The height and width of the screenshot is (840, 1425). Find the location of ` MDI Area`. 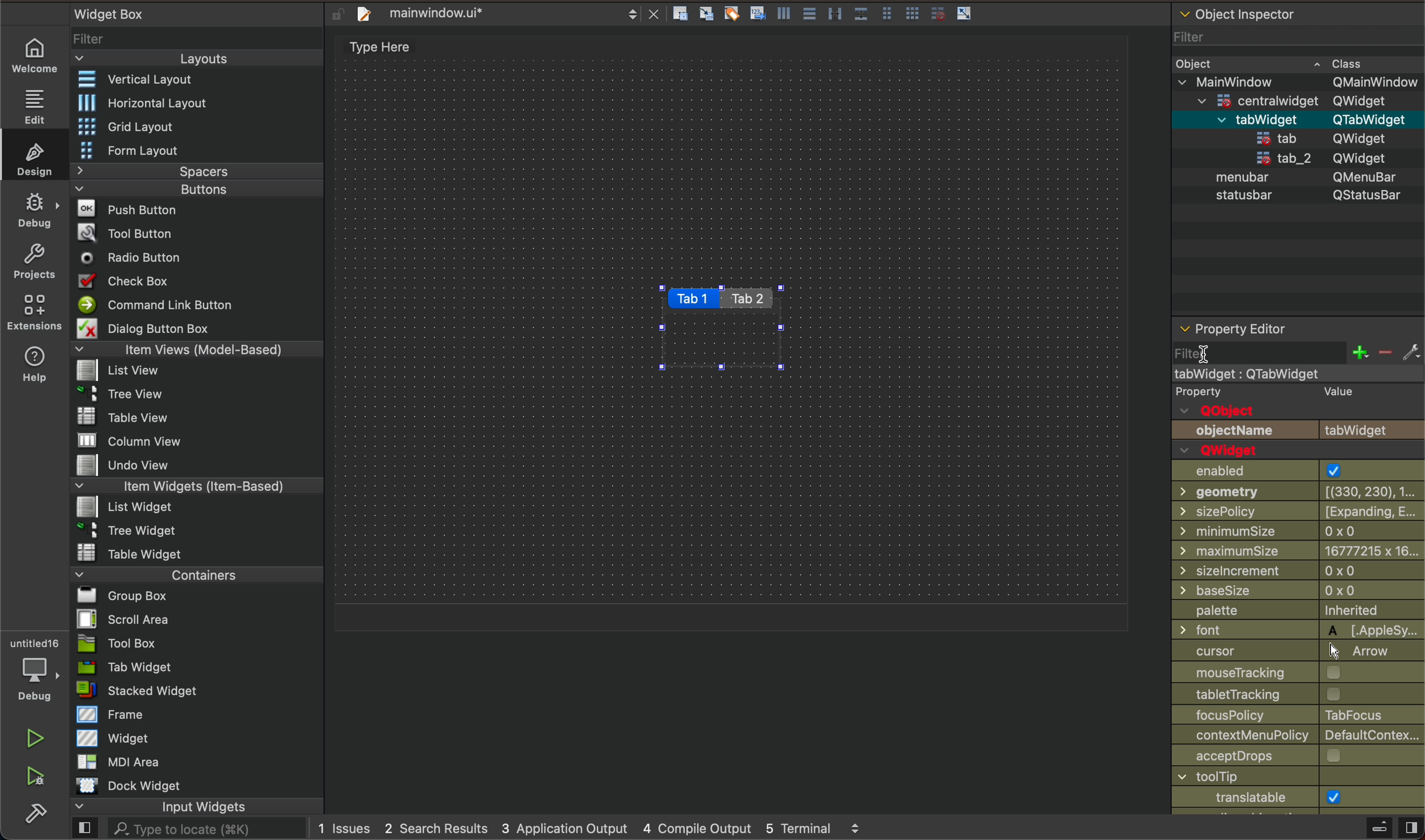

 MDI Area is located at coordinates (128, 761).